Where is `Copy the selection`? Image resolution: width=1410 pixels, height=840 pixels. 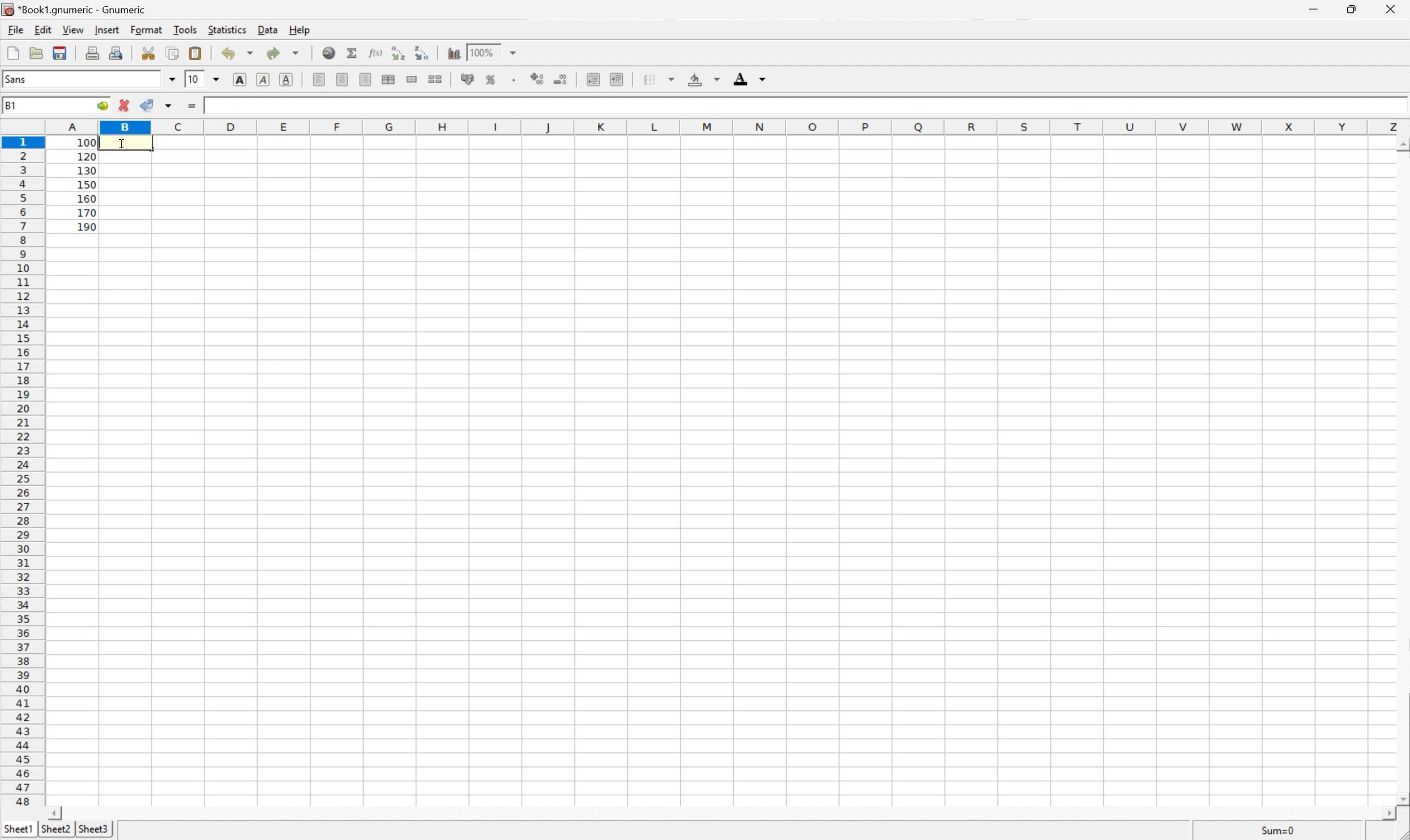
Copy the selection is located at coordinates (173, 54).